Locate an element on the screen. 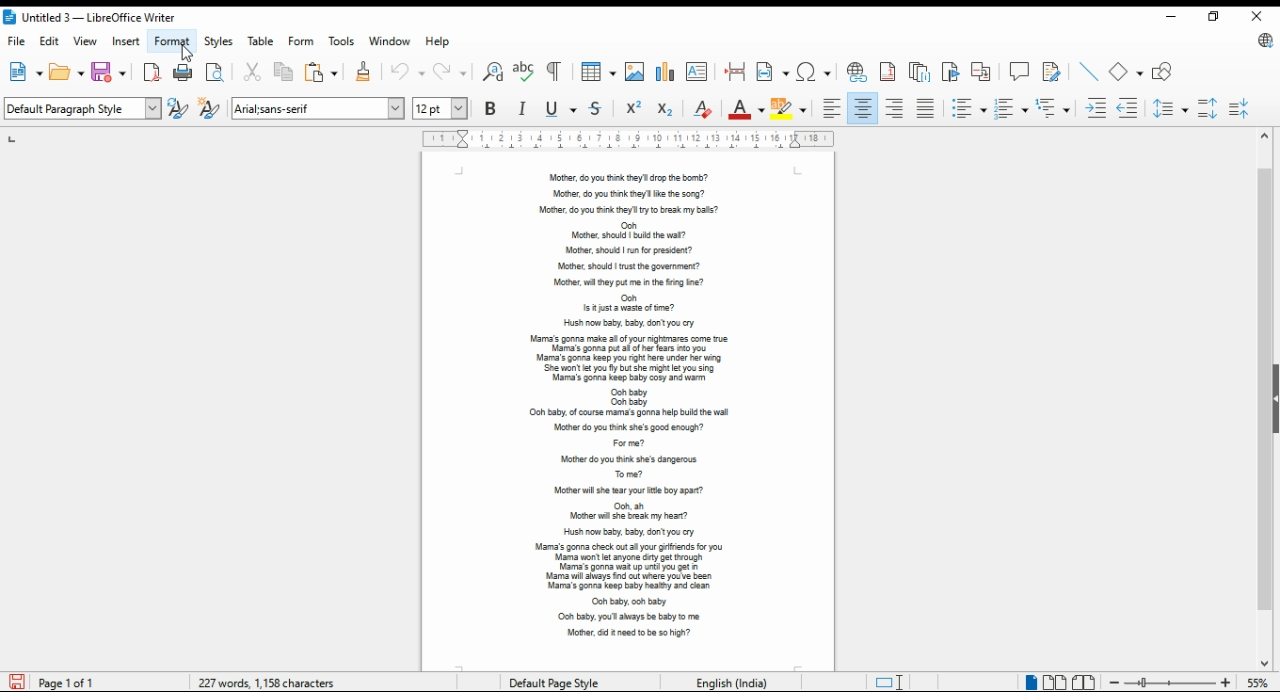 Image resolution: width=1280 pixels, height=692 pixels. select outline format is located at coordinates (1052, 107).